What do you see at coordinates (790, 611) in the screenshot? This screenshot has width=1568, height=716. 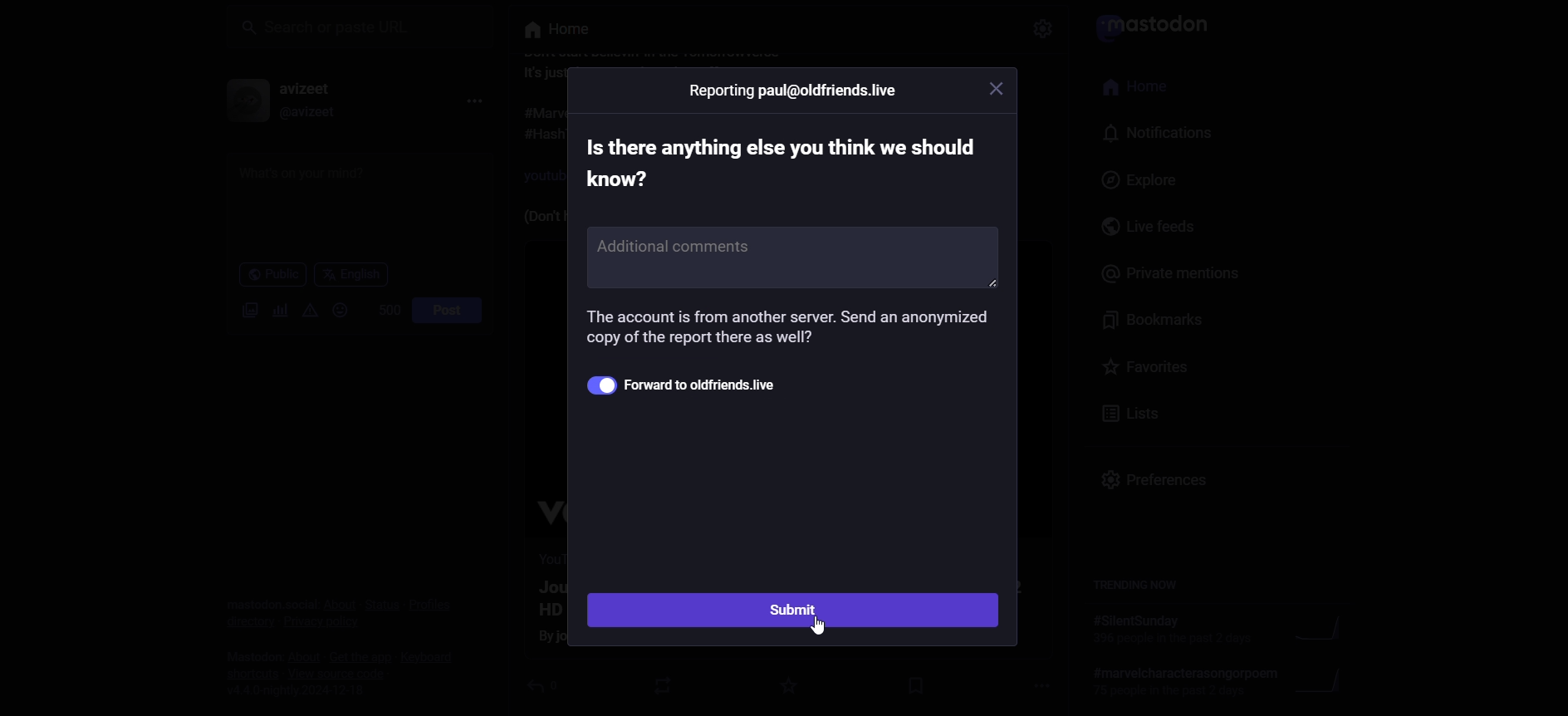 I see `submit` at bounding box center [790, 611].